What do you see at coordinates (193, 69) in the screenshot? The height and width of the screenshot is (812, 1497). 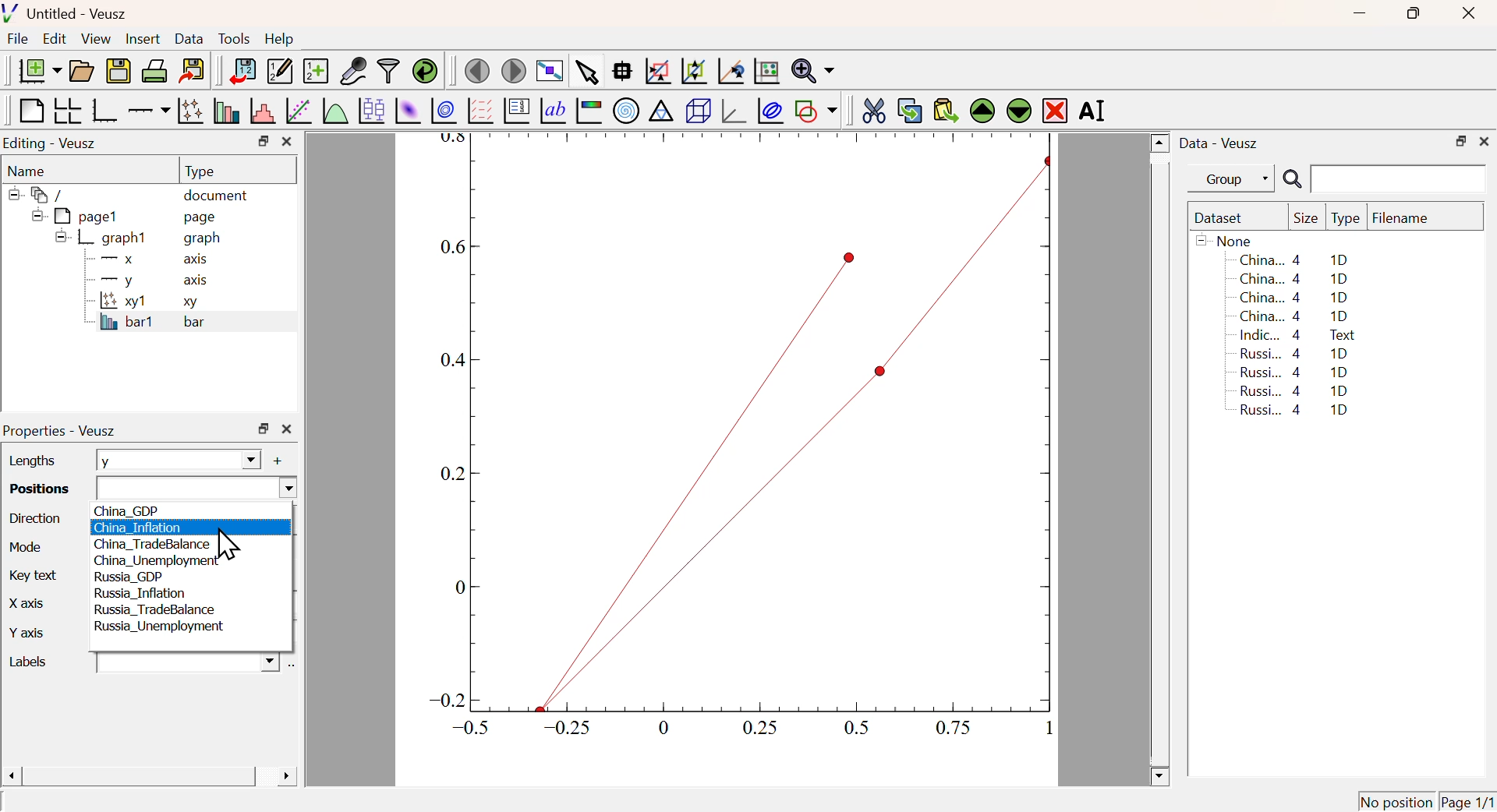 I see `Export to graphics format` at bounding box center [193, 69].